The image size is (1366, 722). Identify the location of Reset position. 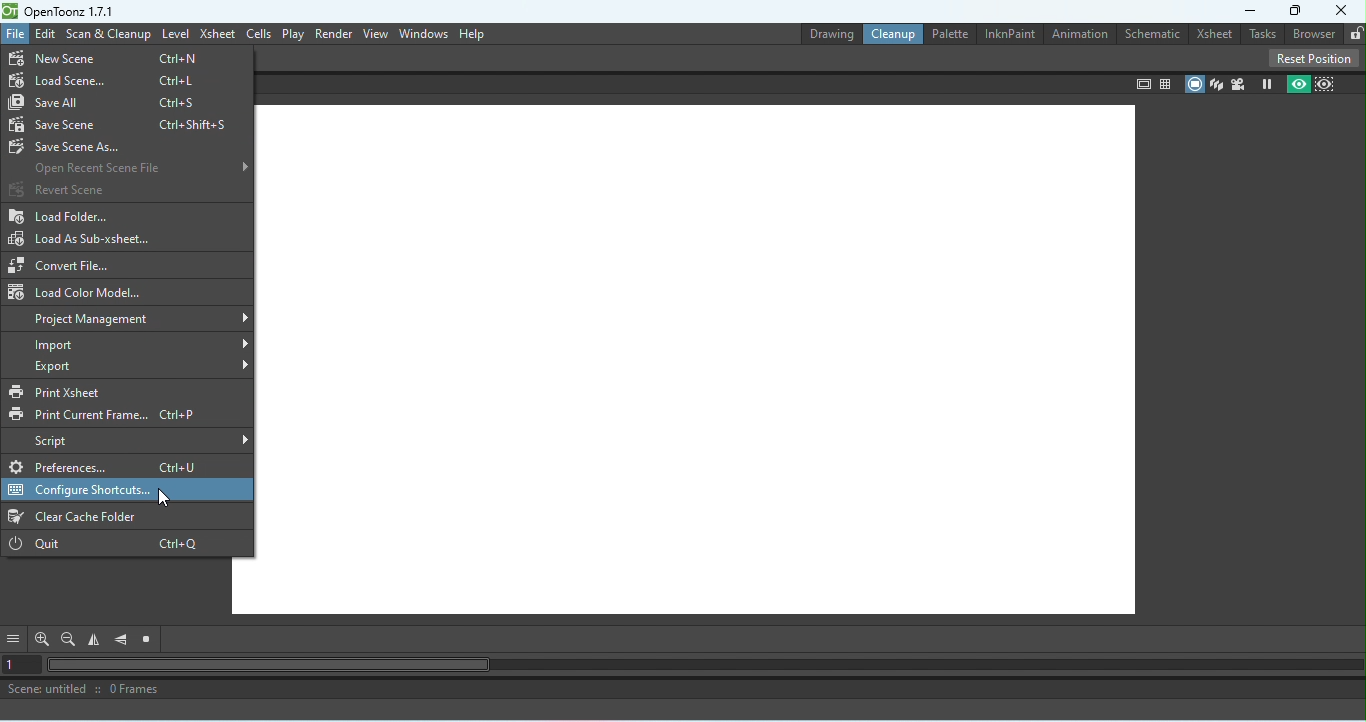
(1313, 57).